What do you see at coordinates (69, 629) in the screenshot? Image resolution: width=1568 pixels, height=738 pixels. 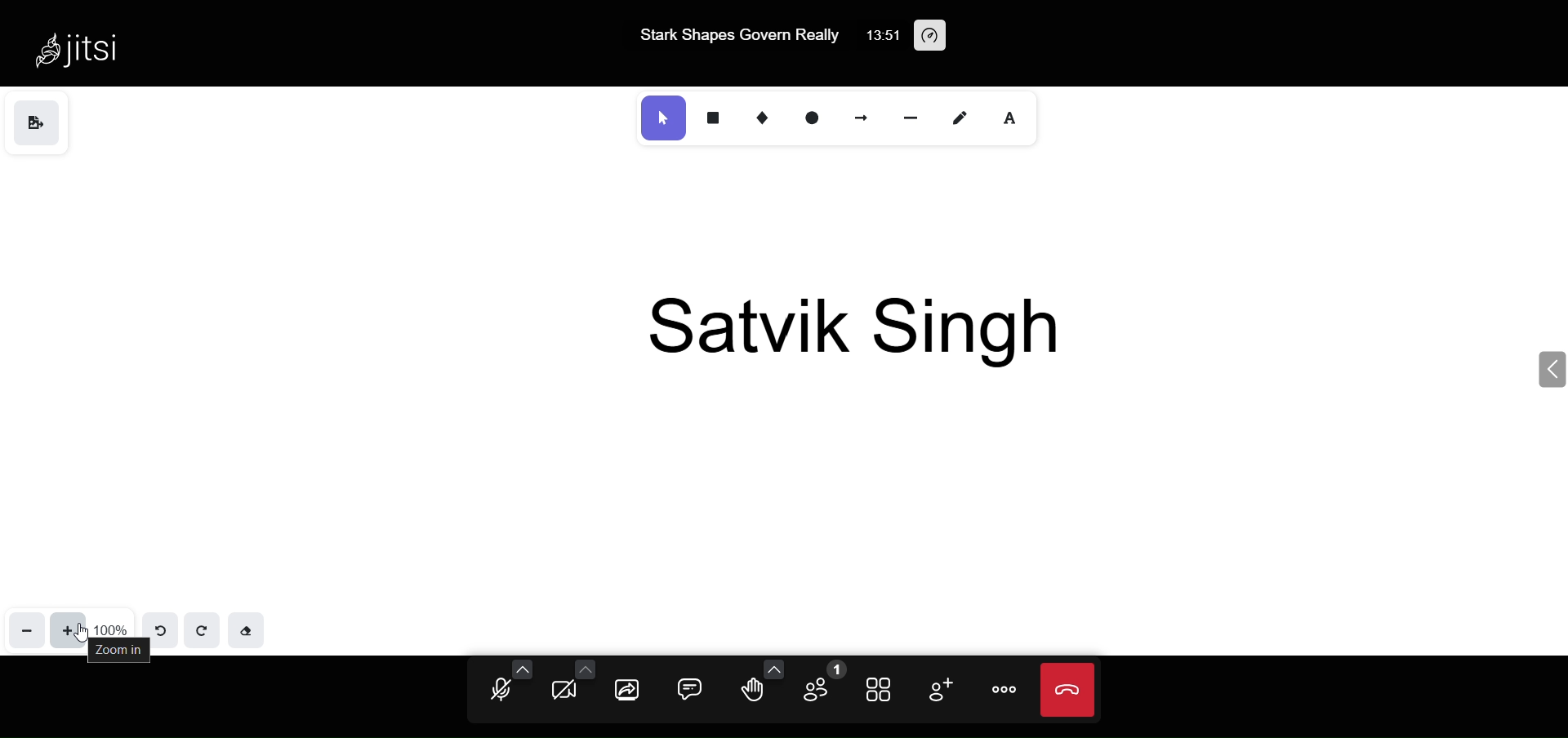 I see `zoom in` at bounding box center [69, 629].